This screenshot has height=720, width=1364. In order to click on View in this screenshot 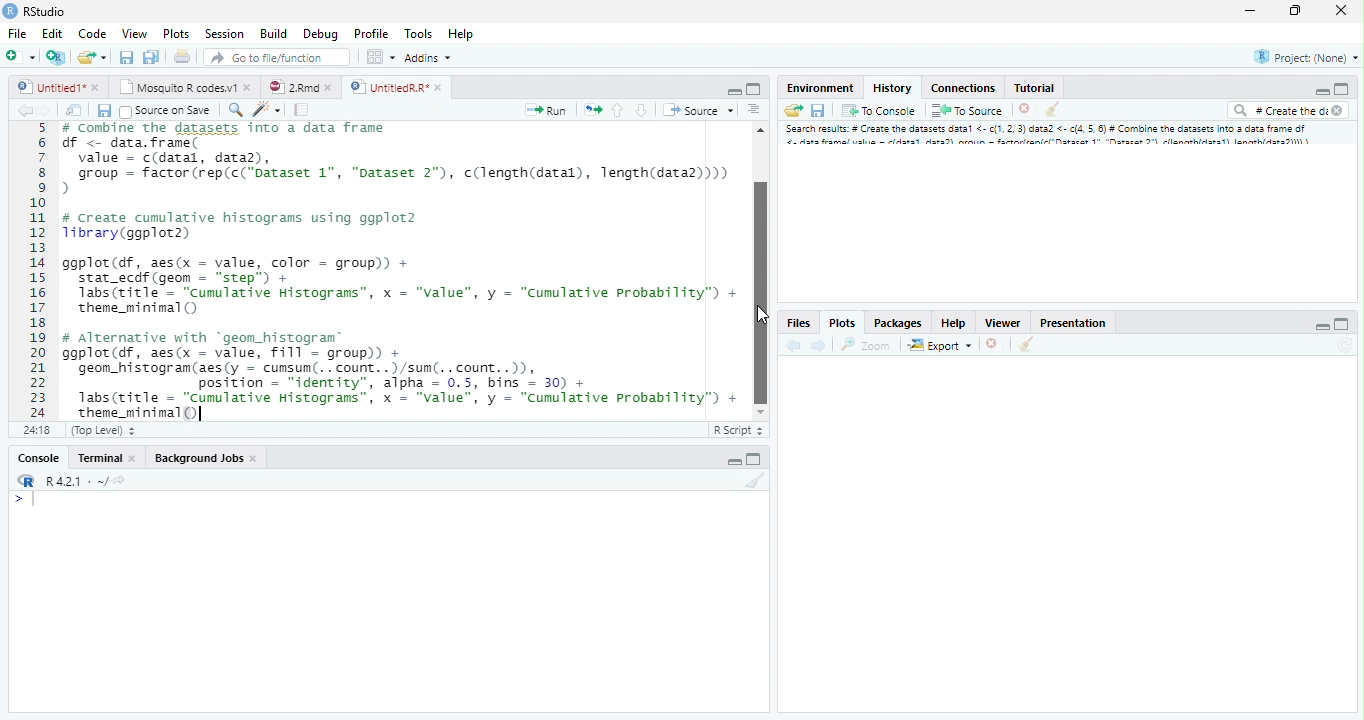, I will do `click(133, 35)`.